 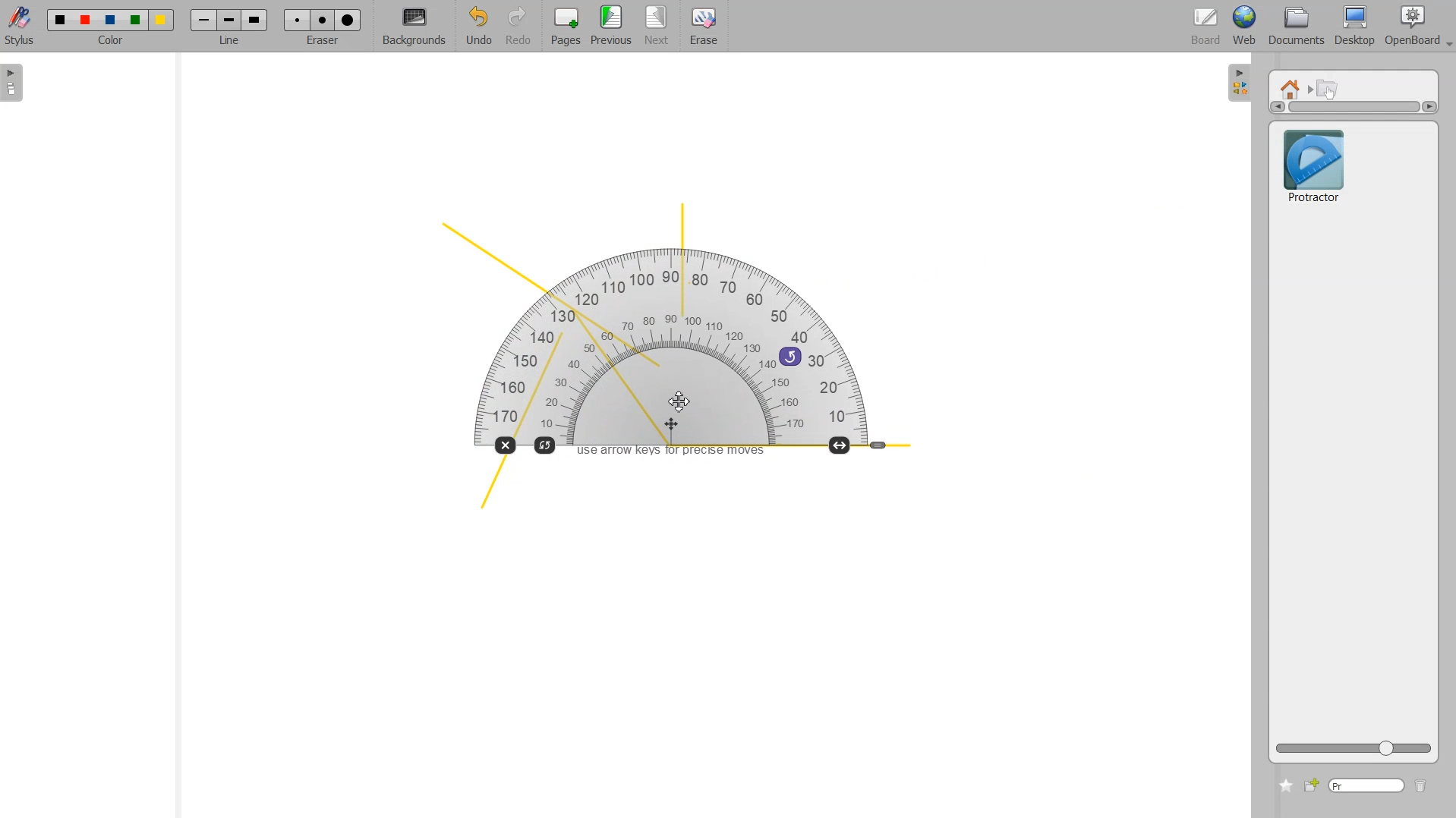 What do you see at coordinates (841, 445) in the screenshot?
I see `Increase size` at bounding box center [841, 445].